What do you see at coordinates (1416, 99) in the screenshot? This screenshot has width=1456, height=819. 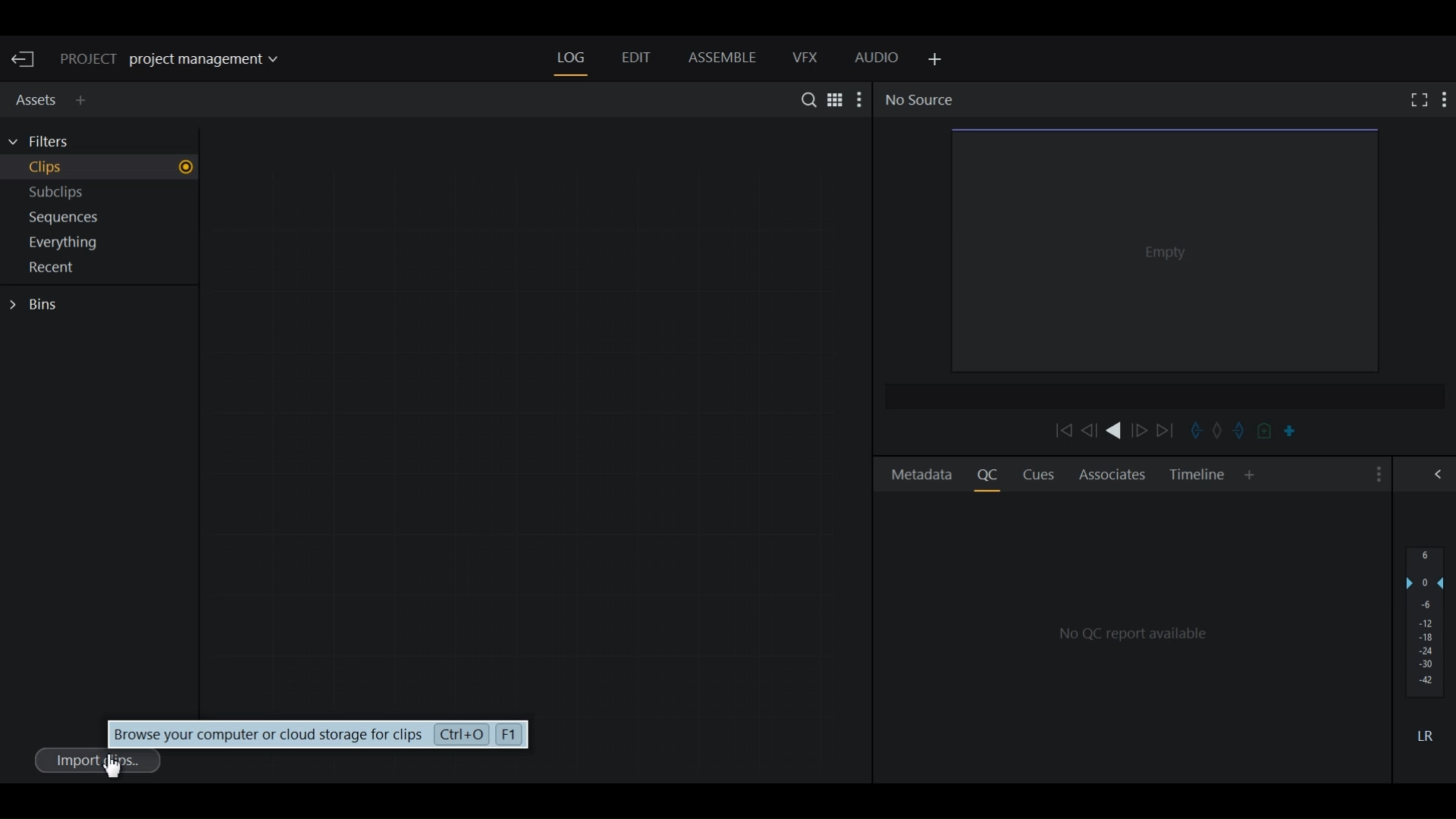 I see `Fullscreen` at bounding box center [1416, 99].